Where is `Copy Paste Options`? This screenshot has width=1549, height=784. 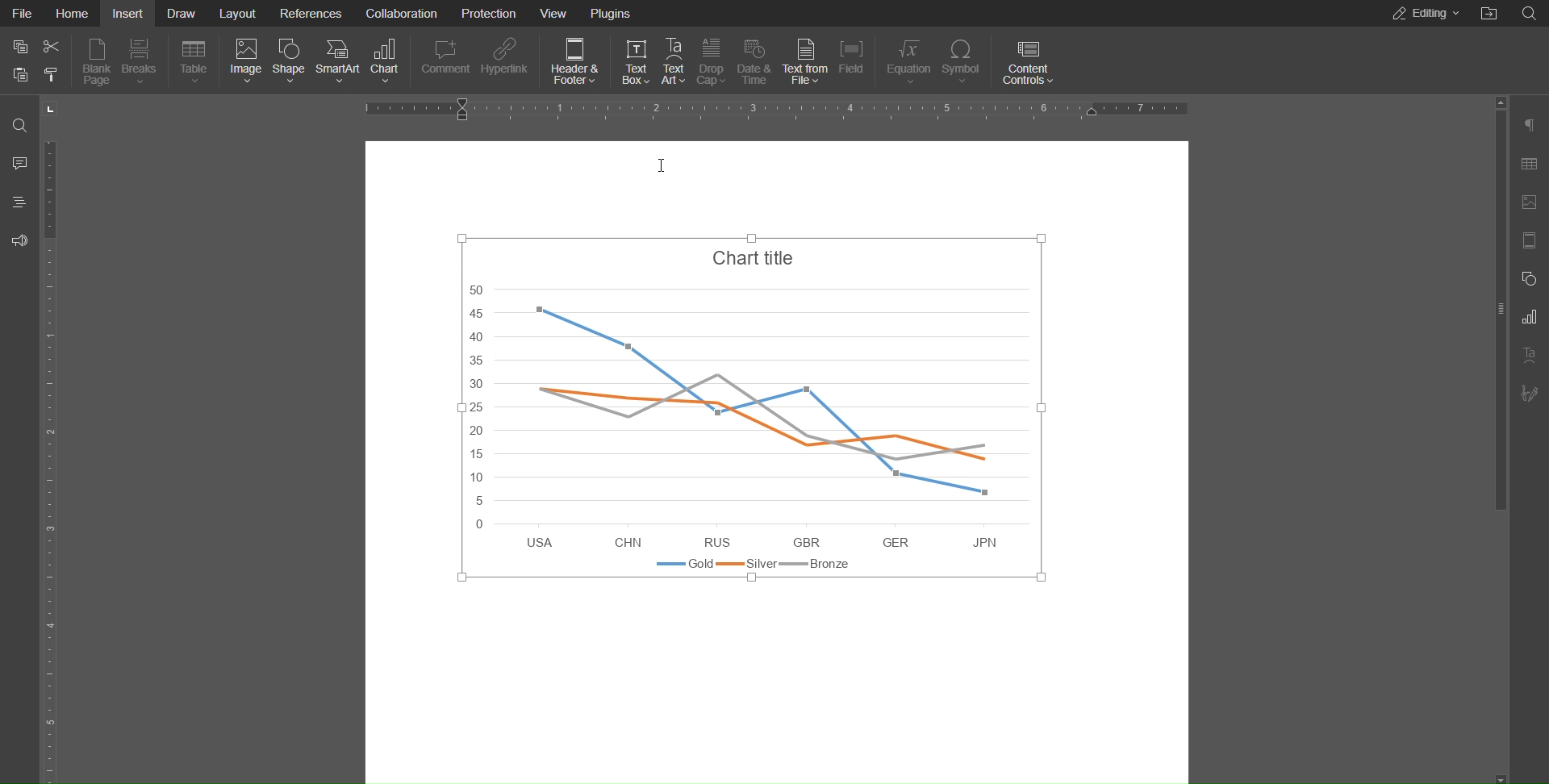
Copy Paste Options is located at coordinates (35, 64).